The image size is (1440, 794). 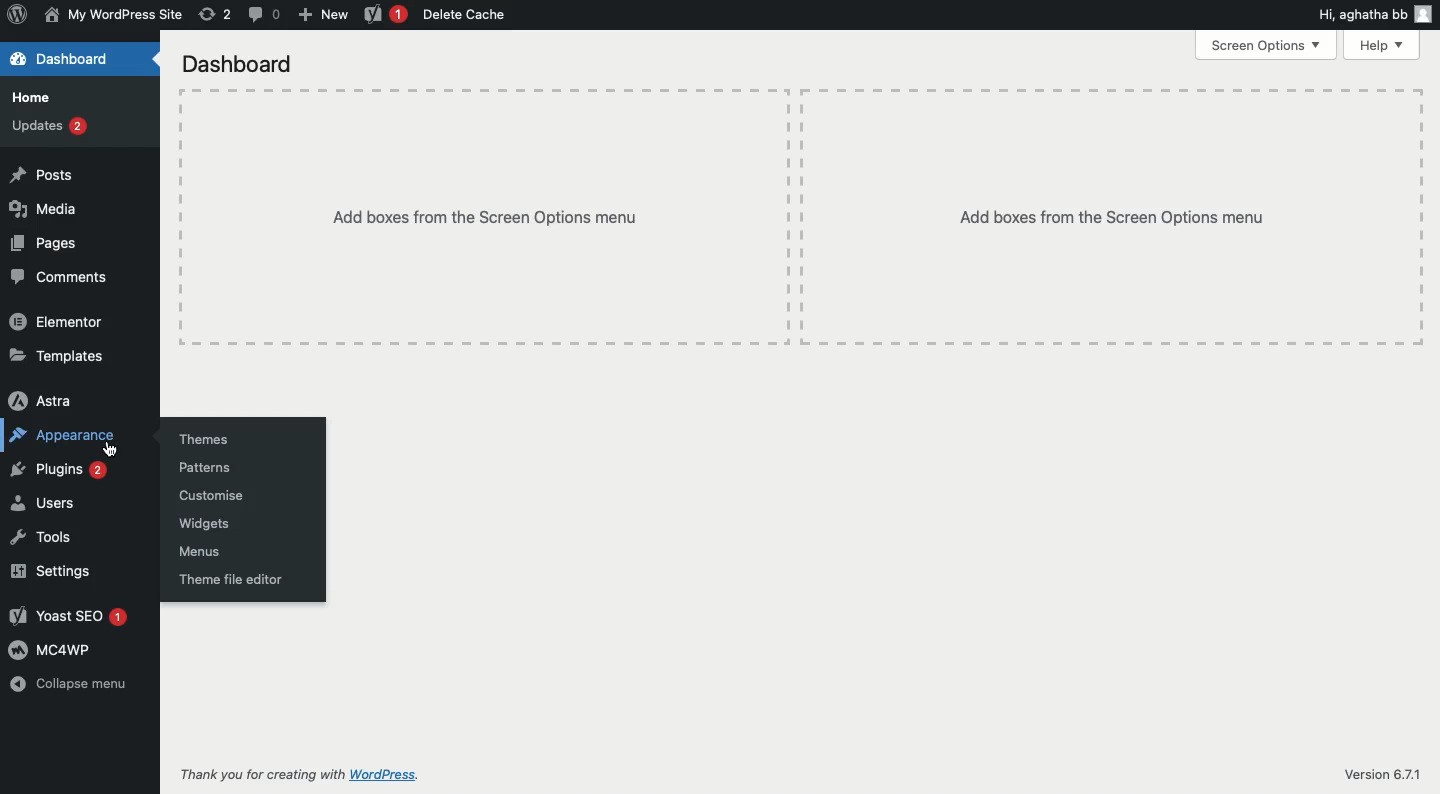 I want to click on Settings, so click(x=51, y=571).